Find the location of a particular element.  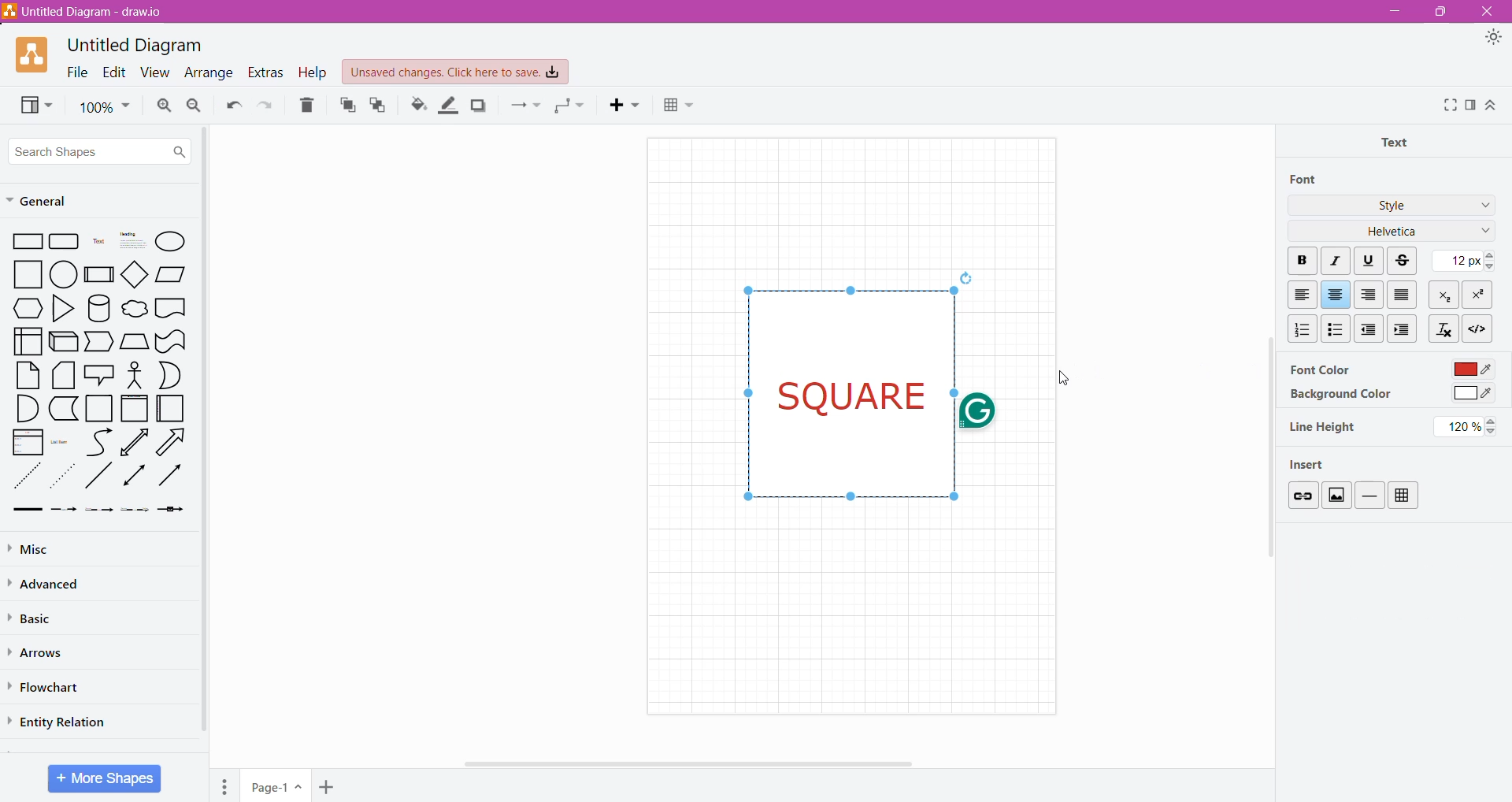

Redo is located at coordinates (228, 103).